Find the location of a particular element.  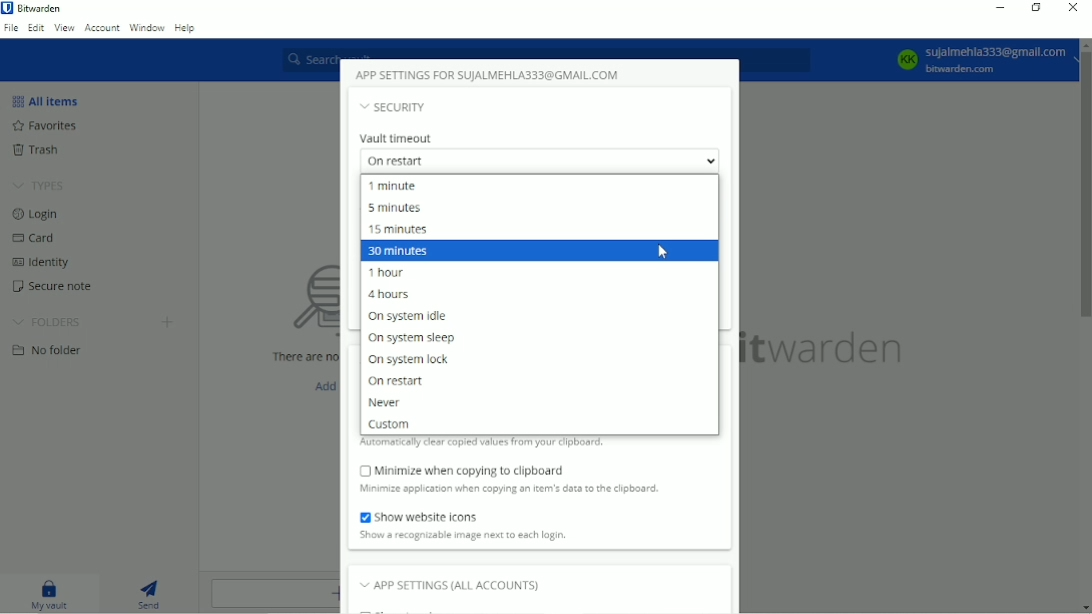

Never is located at coordinates (387, 403).